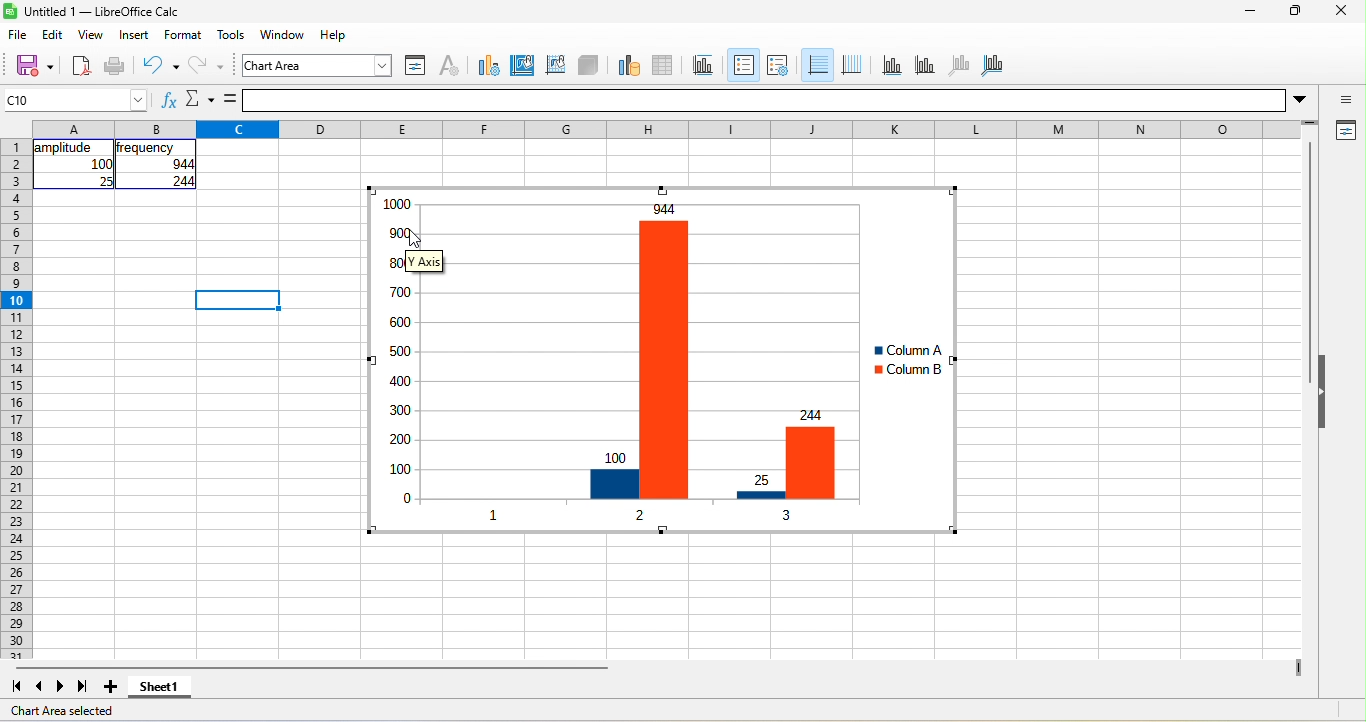 This screenshot has width=1366, height=722. Describe the element at coordinates (210, 68) in the screenshot. I see `redo` at that location.